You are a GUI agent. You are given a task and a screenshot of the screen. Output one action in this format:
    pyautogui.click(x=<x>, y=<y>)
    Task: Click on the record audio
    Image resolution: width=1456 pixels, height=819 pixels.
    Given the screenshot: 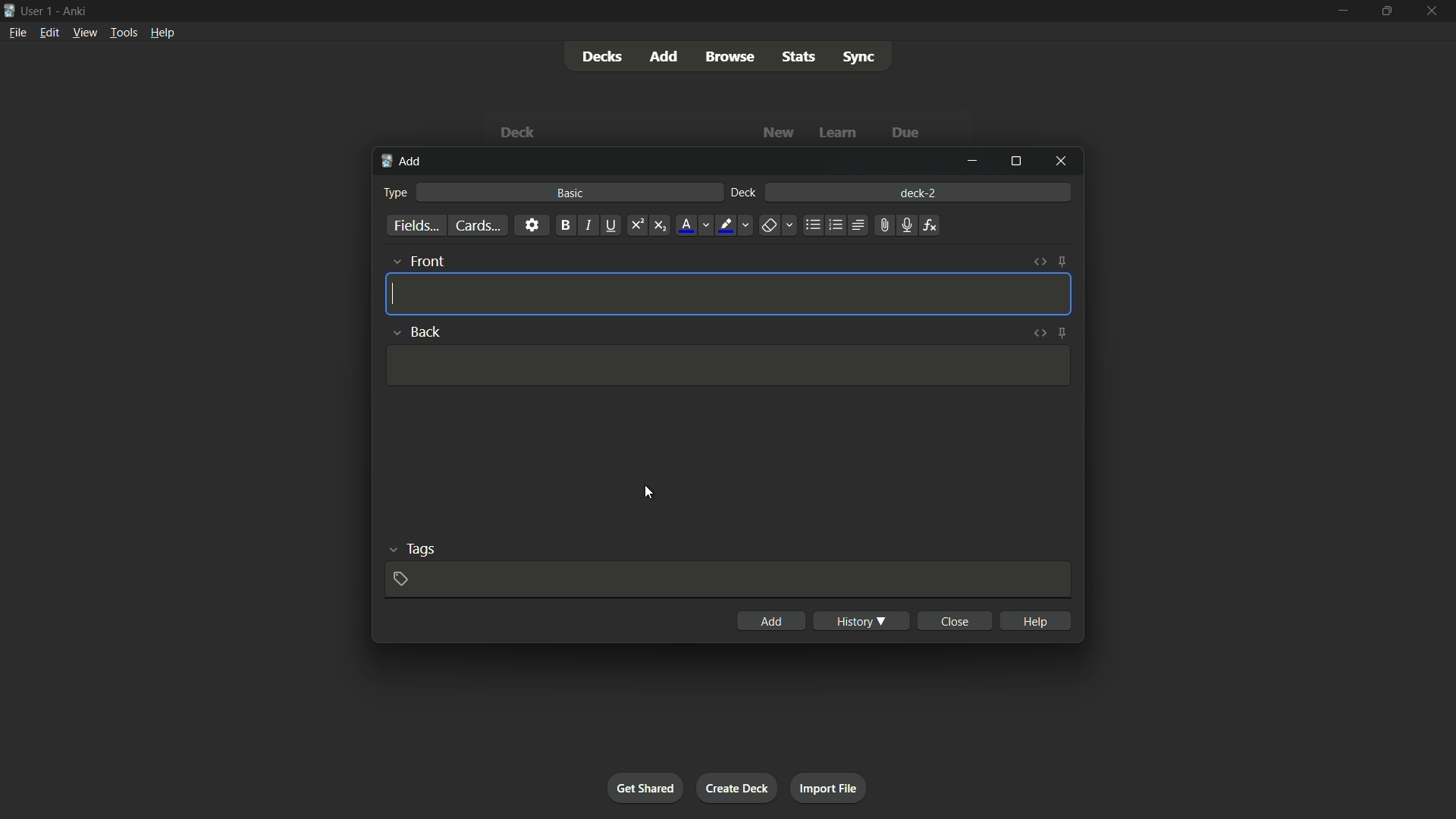 What is the action you would take?
    pyautogui.click(x=905, y=225)
    